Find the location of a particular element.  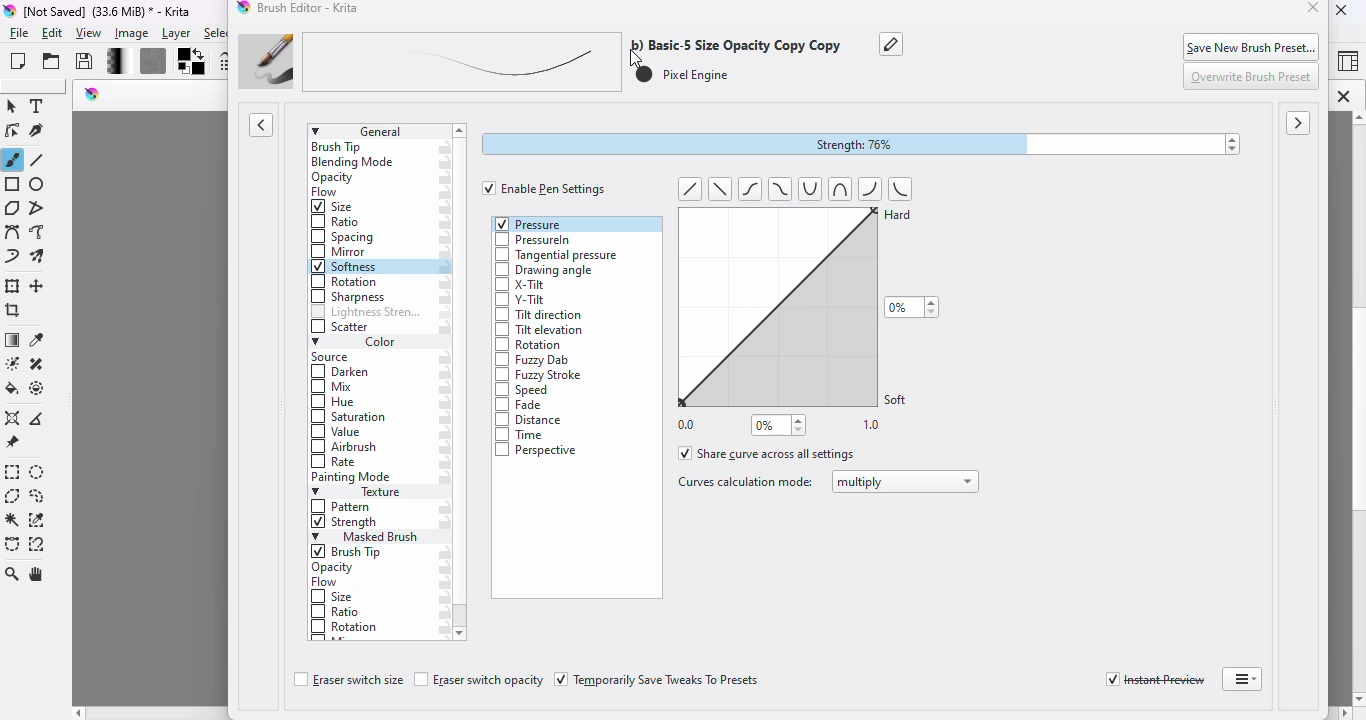

choose workspace is located at coordinates (1347, 63).